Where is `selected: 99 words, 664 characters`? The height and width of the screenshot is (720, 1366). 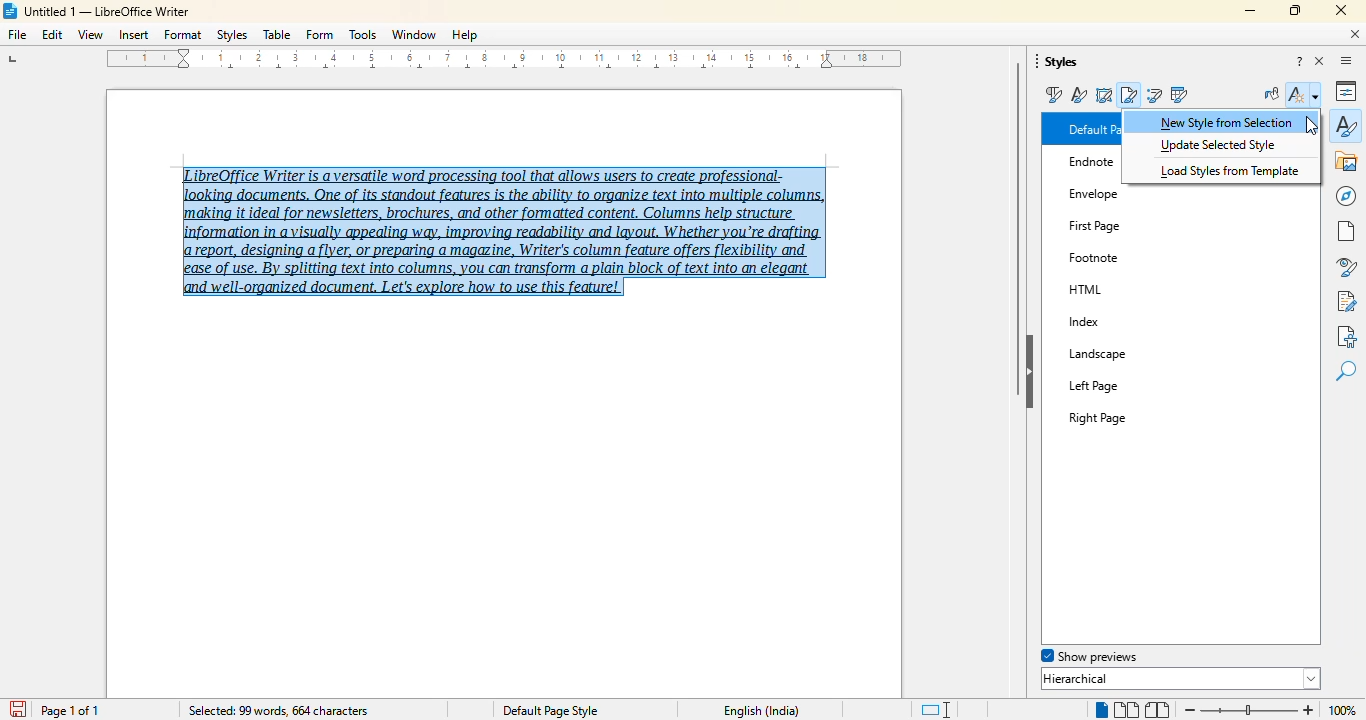 selected: 99 words, 664 characters is located at coordinates (277, 711).